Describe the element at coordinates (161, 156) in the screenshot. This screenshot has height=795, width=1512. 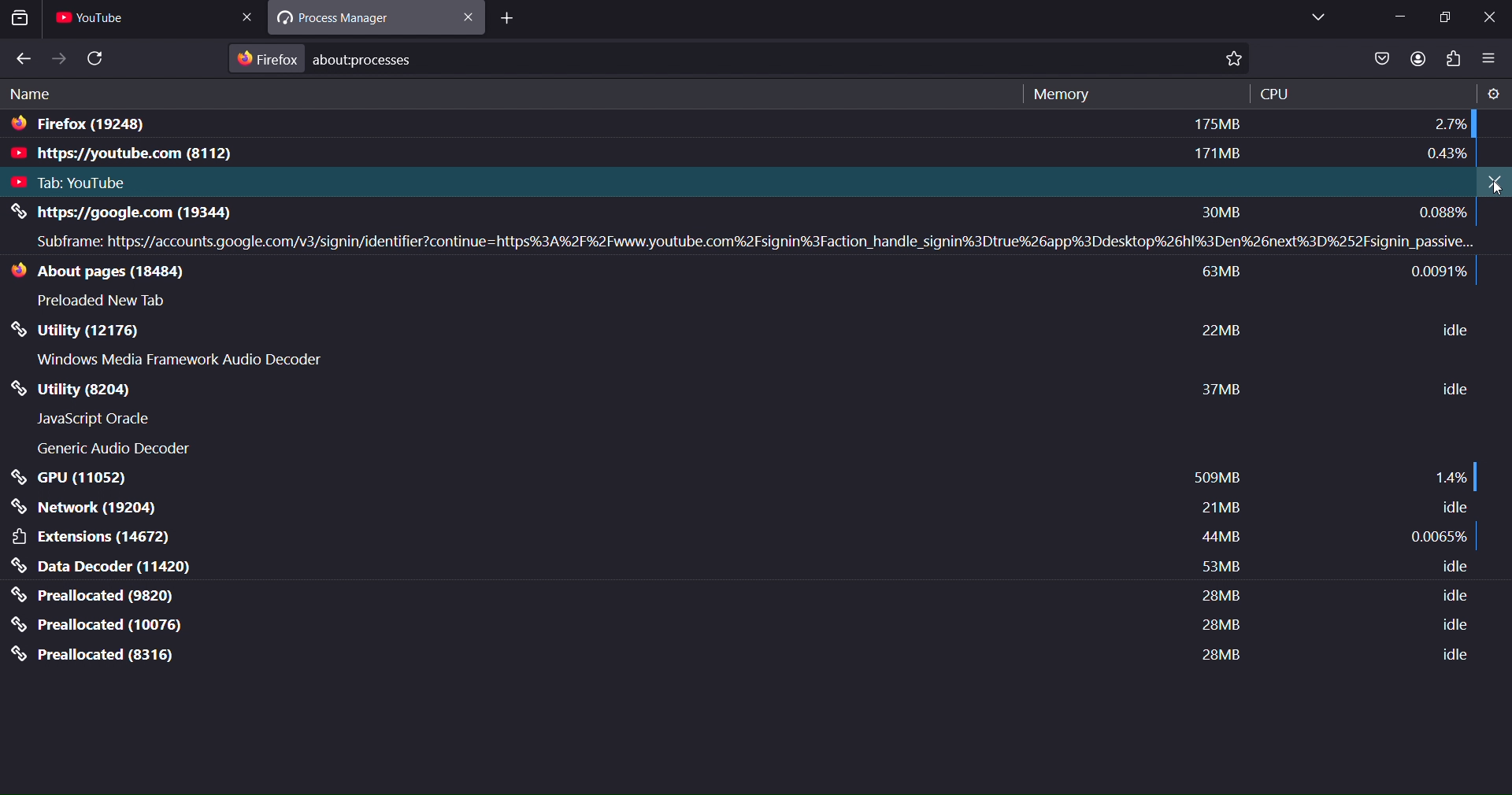
I see `https://youtube.com(8112)` at that location.